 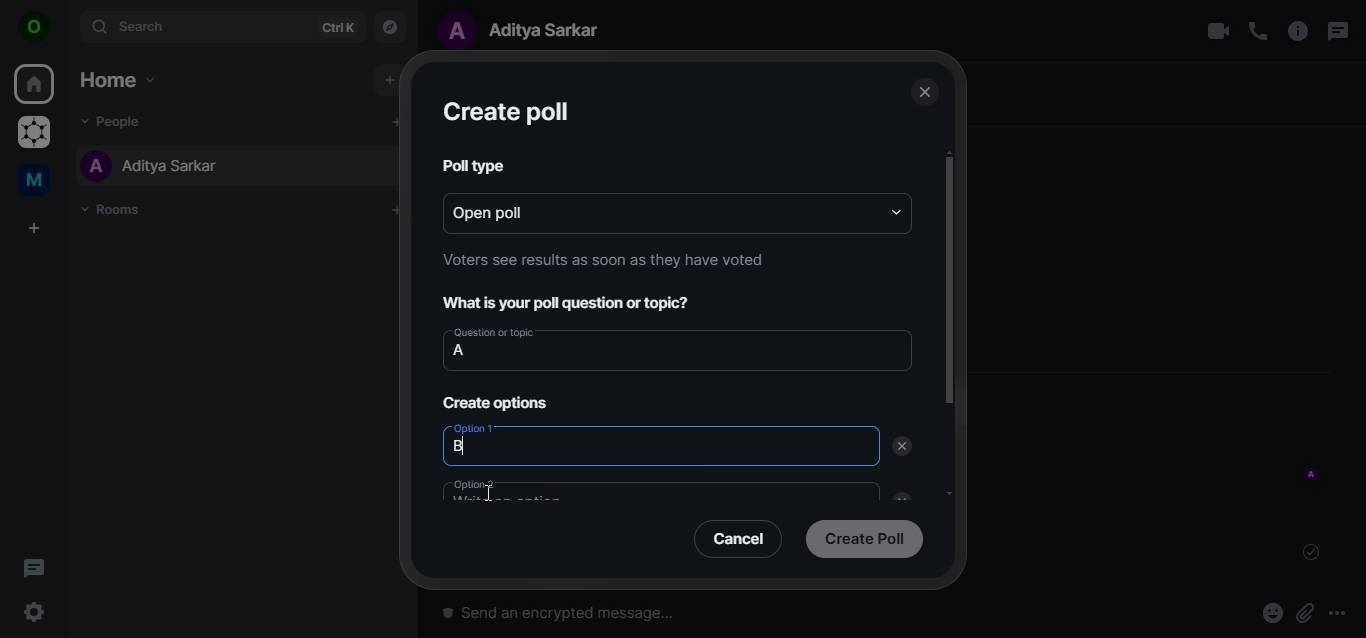 I want to click on a, so click(x=460, y=351).